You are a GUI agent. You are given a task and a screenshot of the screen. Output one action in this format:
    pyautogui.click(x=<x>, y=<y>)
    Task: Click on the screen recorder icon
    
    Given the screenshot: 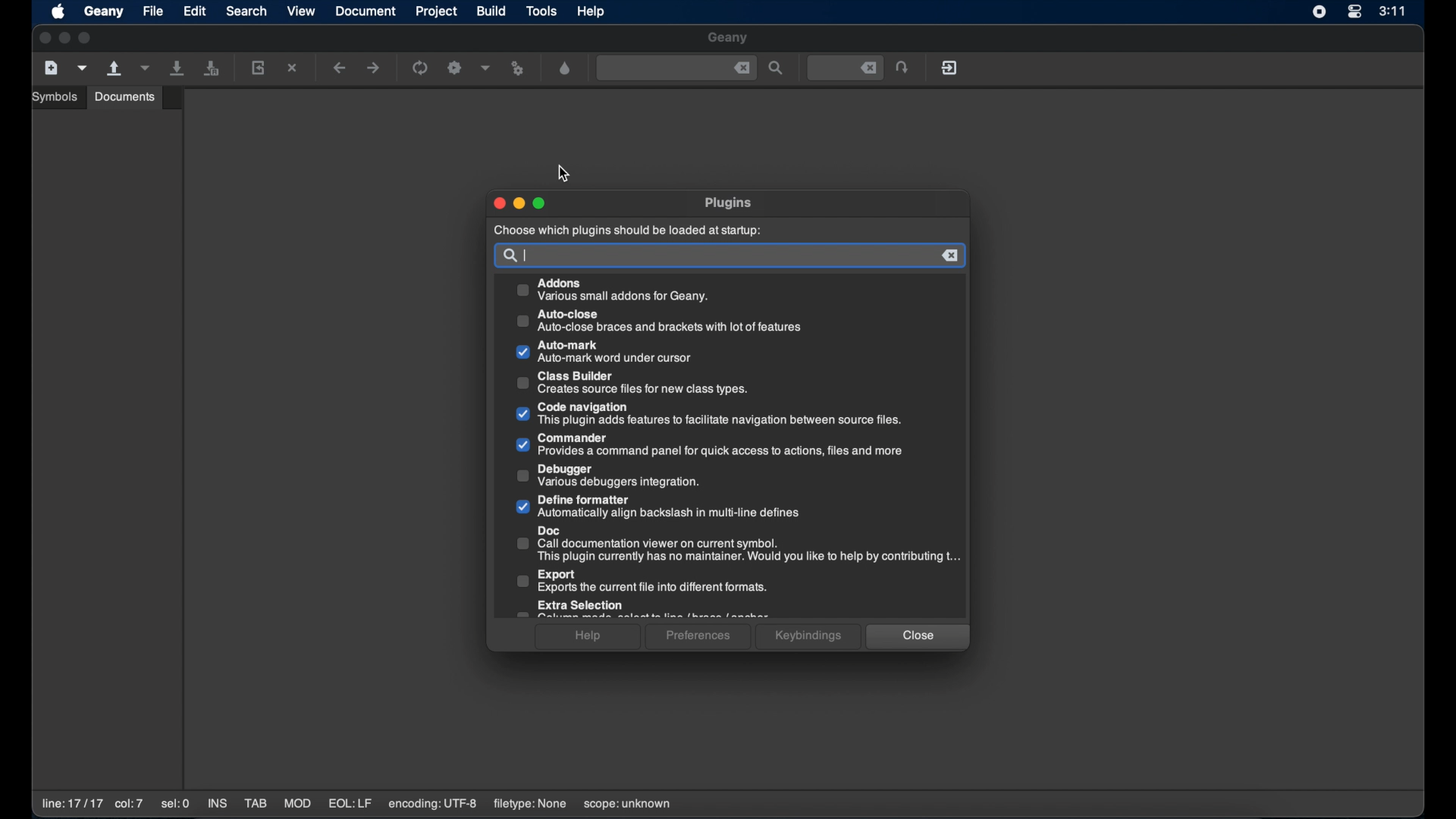 What is the action you would take?
    pyautogui.click(x=1319, y=12)
    